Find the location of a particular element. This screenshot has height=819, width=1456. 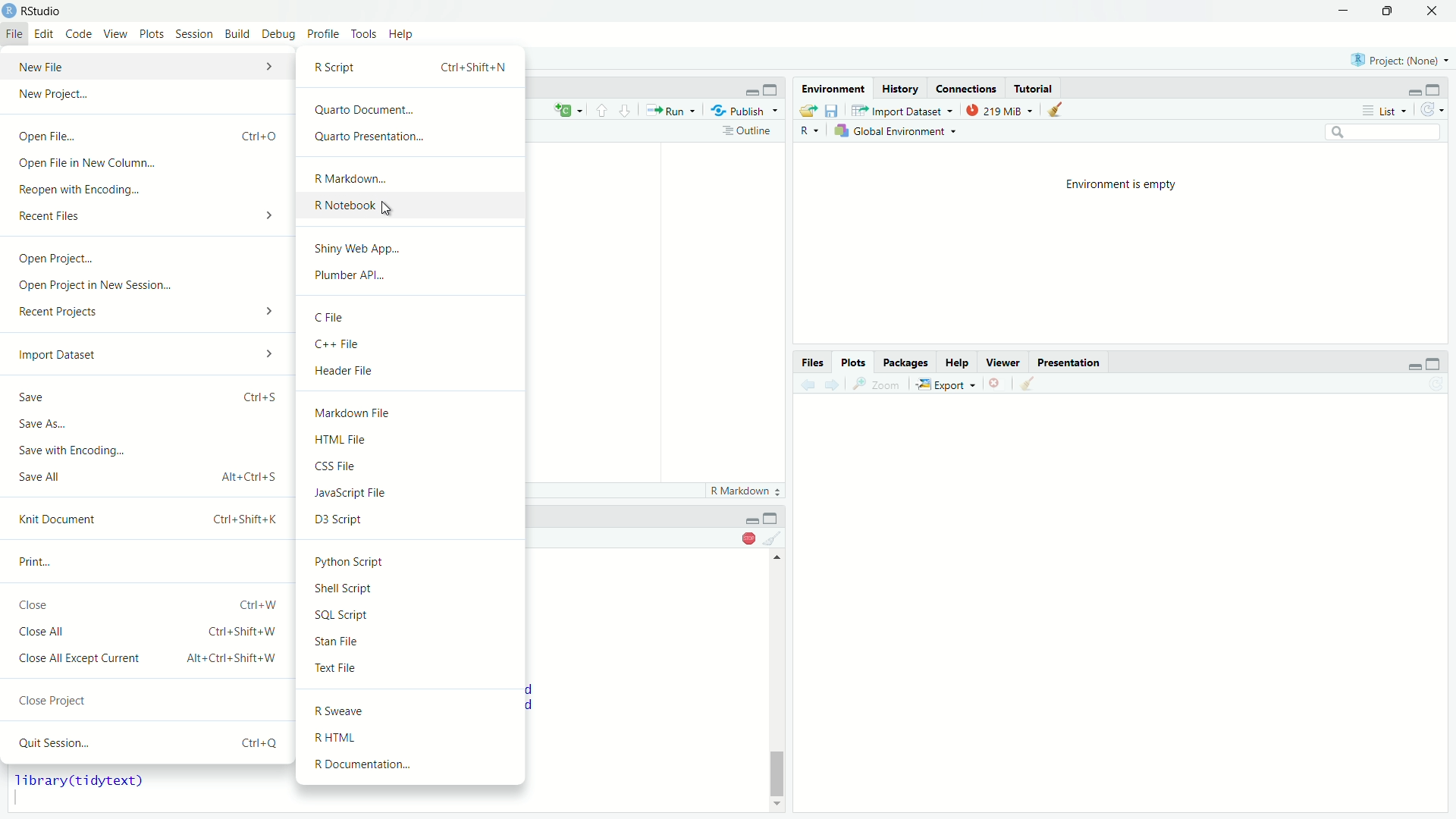

files is located at coordinates (813, 362).